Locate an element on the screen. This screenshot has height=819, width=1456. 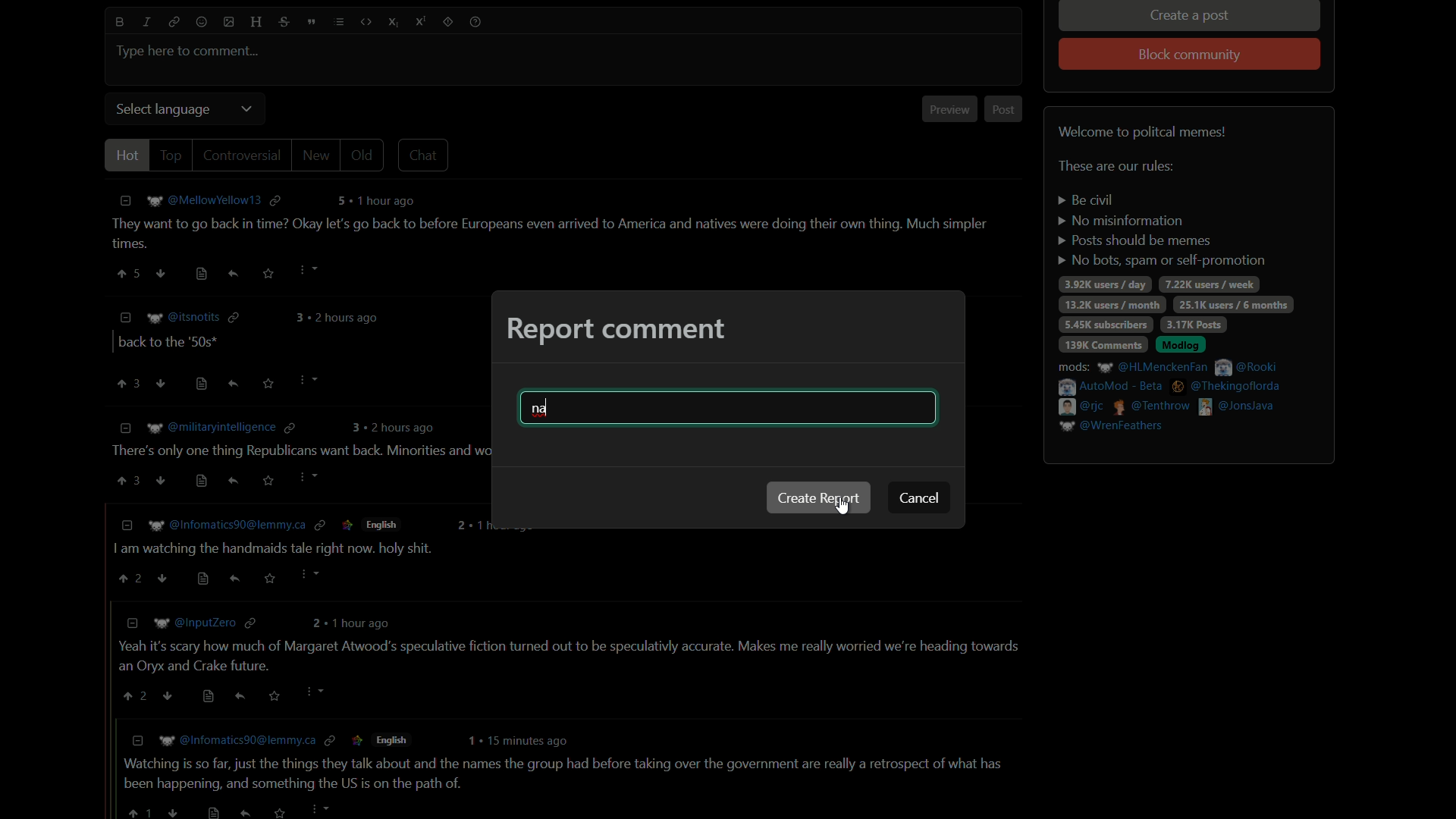
chat is located at coordinates (424, 155).